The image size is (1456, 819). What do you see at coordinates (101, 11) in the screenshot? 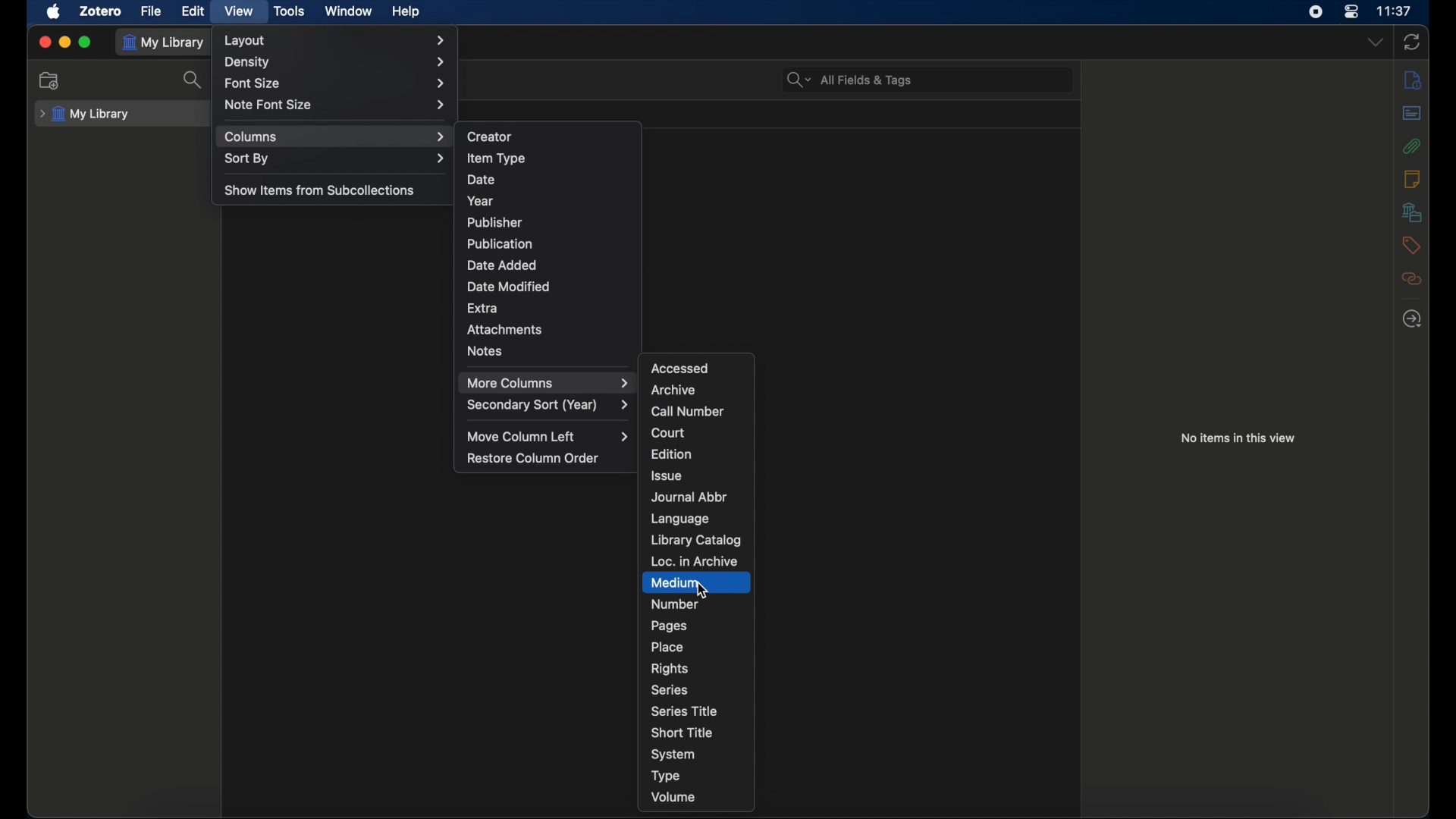
I see `zotero` at bounding box center [101, 11].